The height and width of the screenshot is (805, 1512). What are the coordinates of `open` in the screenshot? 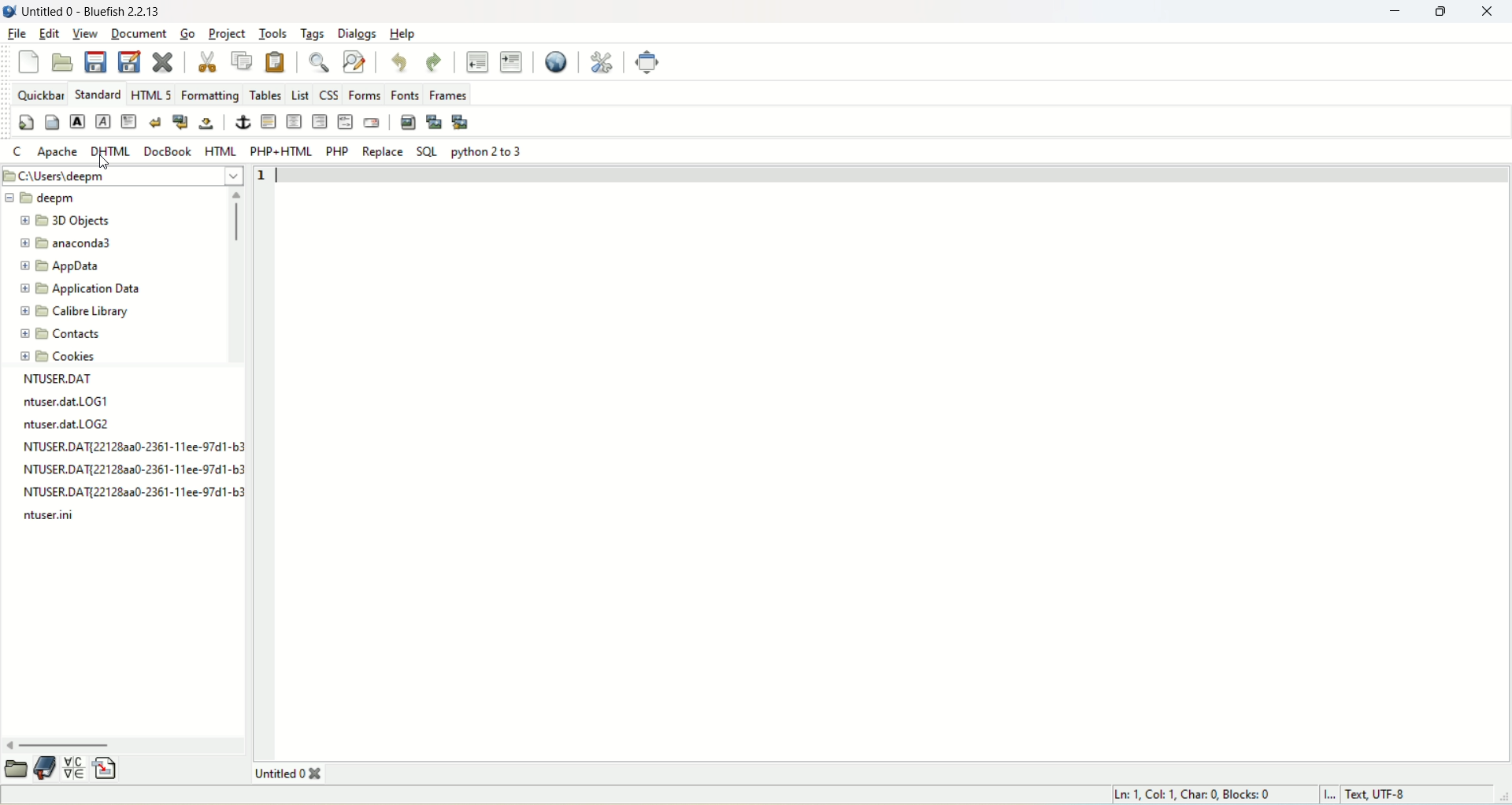 It's located at (16, 771).